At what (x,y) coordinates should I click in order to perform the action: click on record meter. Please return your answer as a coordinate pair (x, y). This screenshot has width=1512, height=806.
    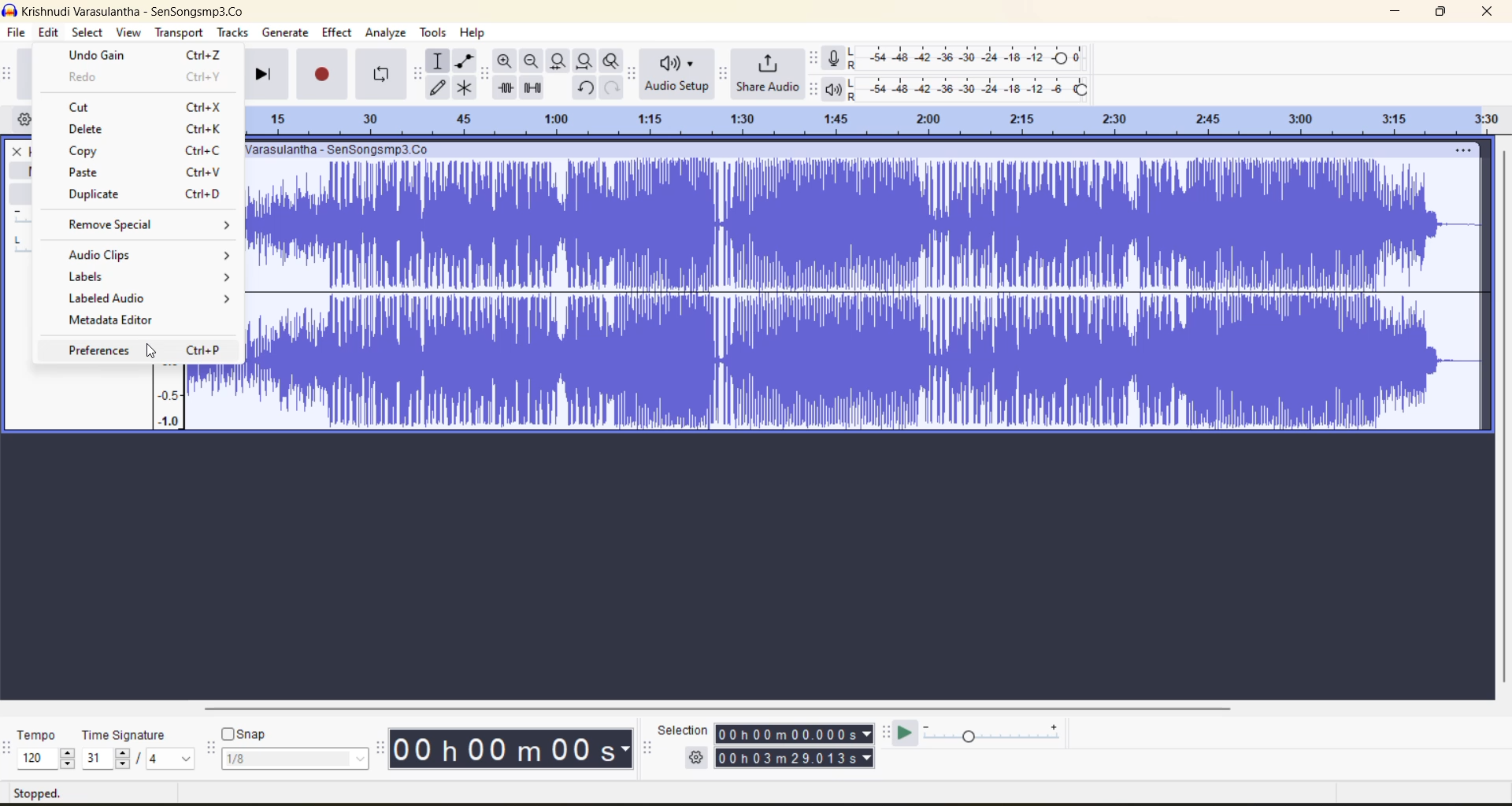
    Looking at the image, I should click on (836, 58).